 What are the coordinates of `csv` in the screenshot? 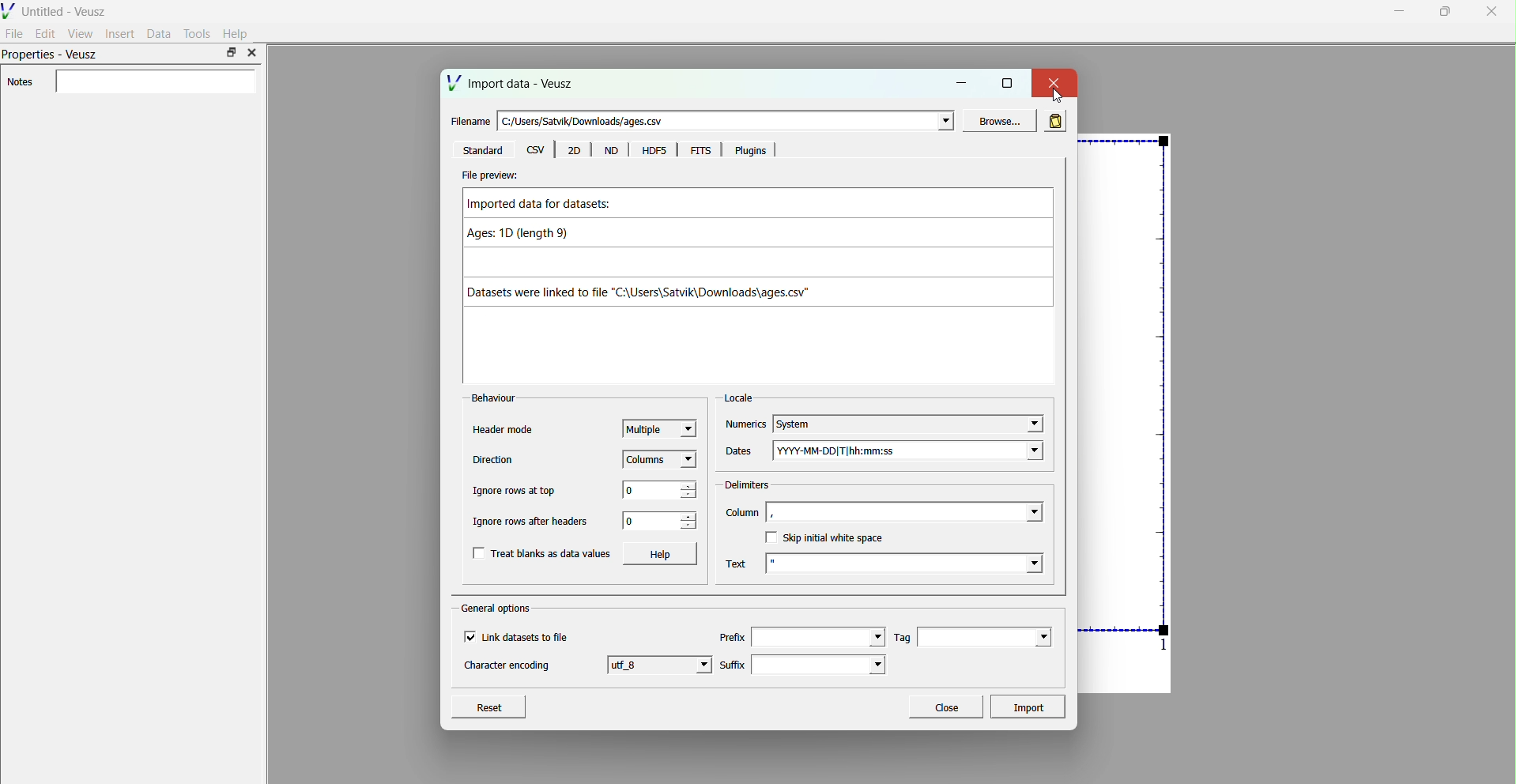 It's located at (534, 149).